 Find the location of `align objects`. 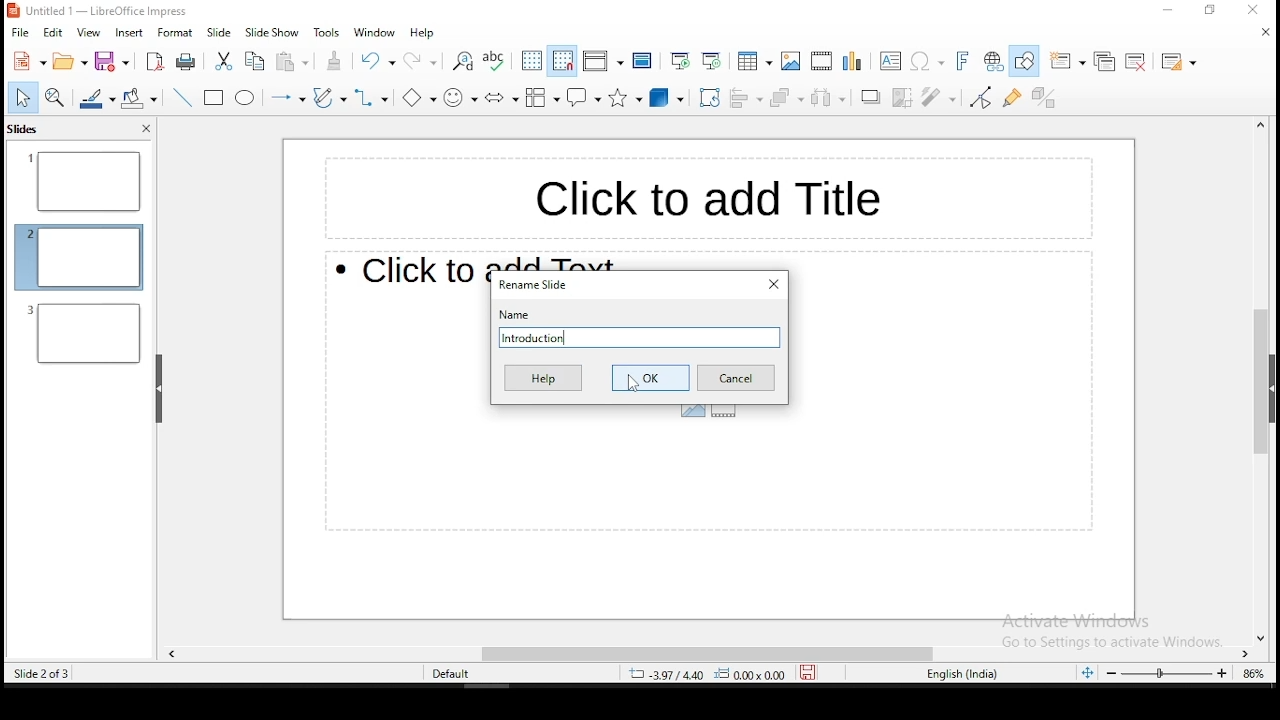

align objects is located at coordinates (748, 97).